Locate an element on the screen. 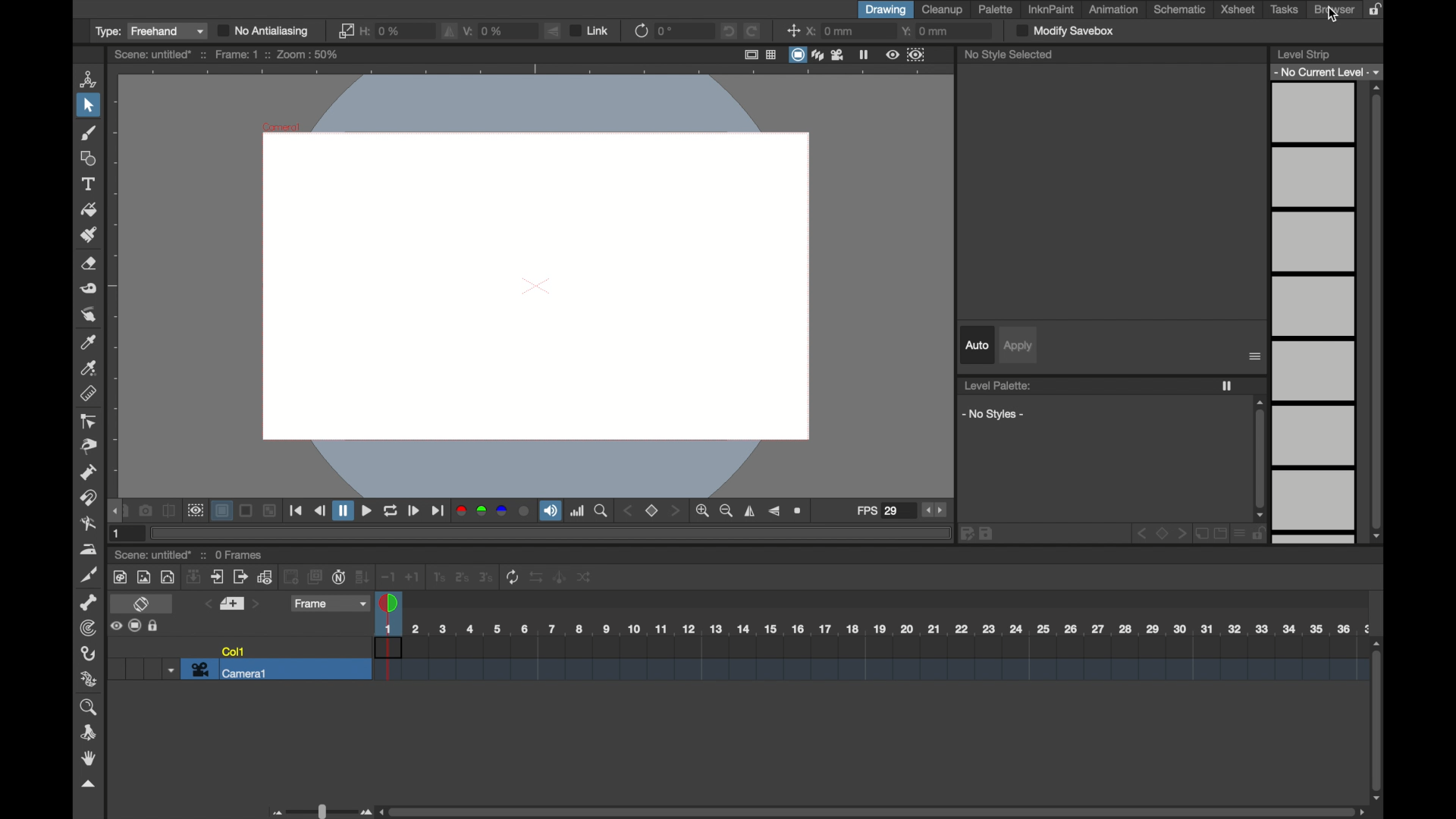  magnet tool is located at coordinates (90, 499).